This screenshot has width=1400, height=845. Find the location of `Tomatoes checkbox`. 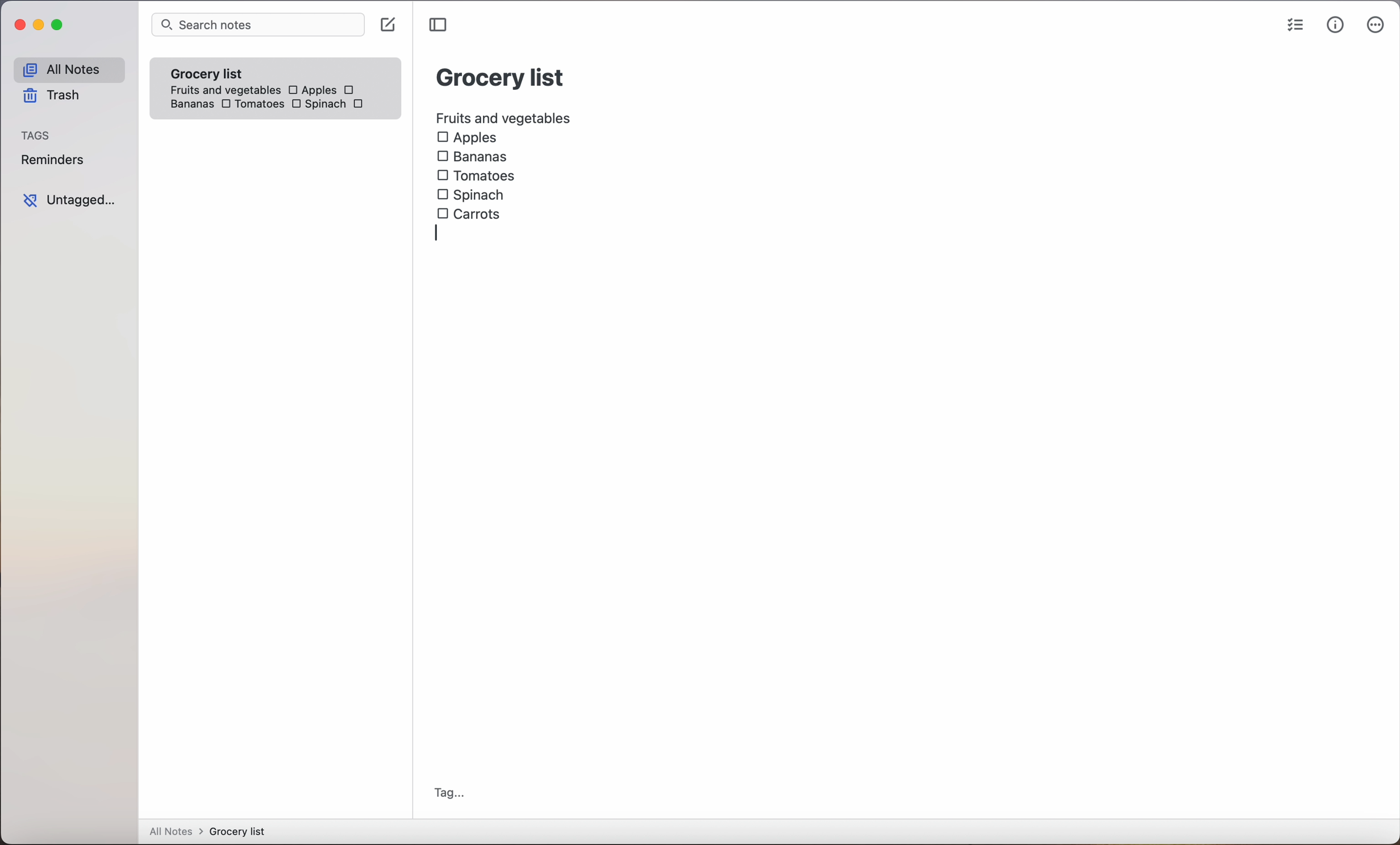

Tomatoes checkbox is located at coordinates (476, 176).